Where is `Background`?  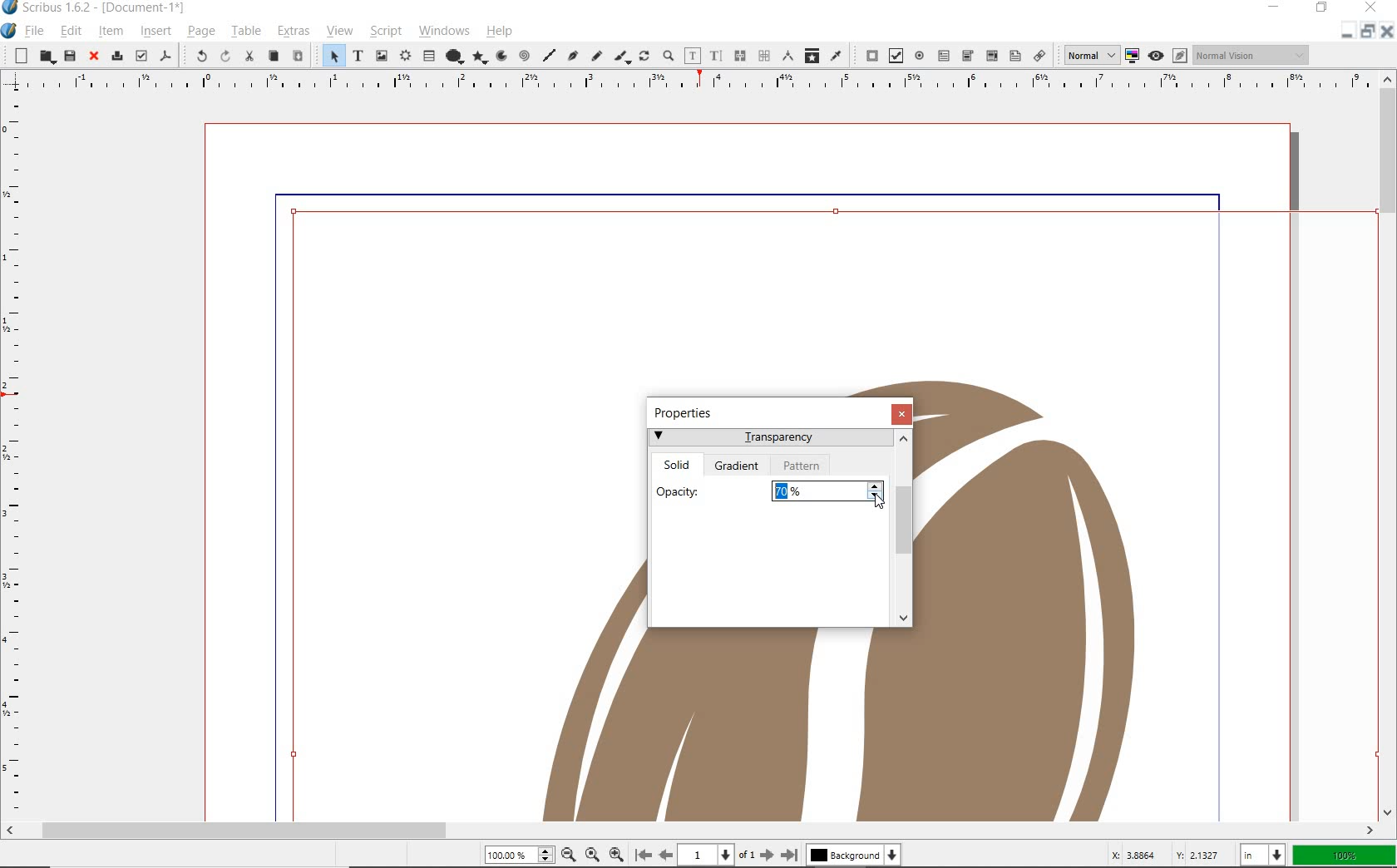 Background is located at coordinates (853, 856).